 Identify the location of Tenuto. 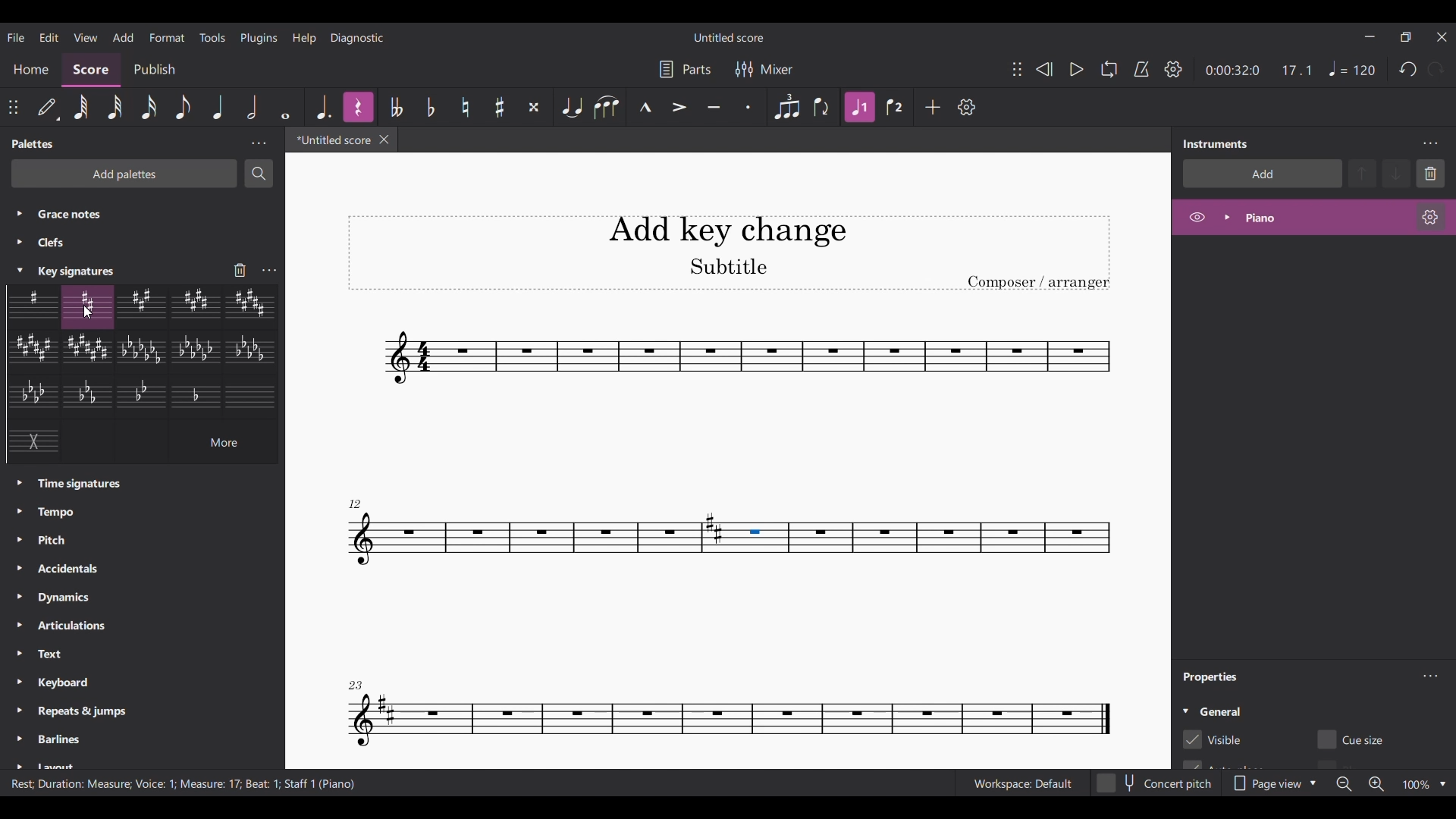
(714, 106).